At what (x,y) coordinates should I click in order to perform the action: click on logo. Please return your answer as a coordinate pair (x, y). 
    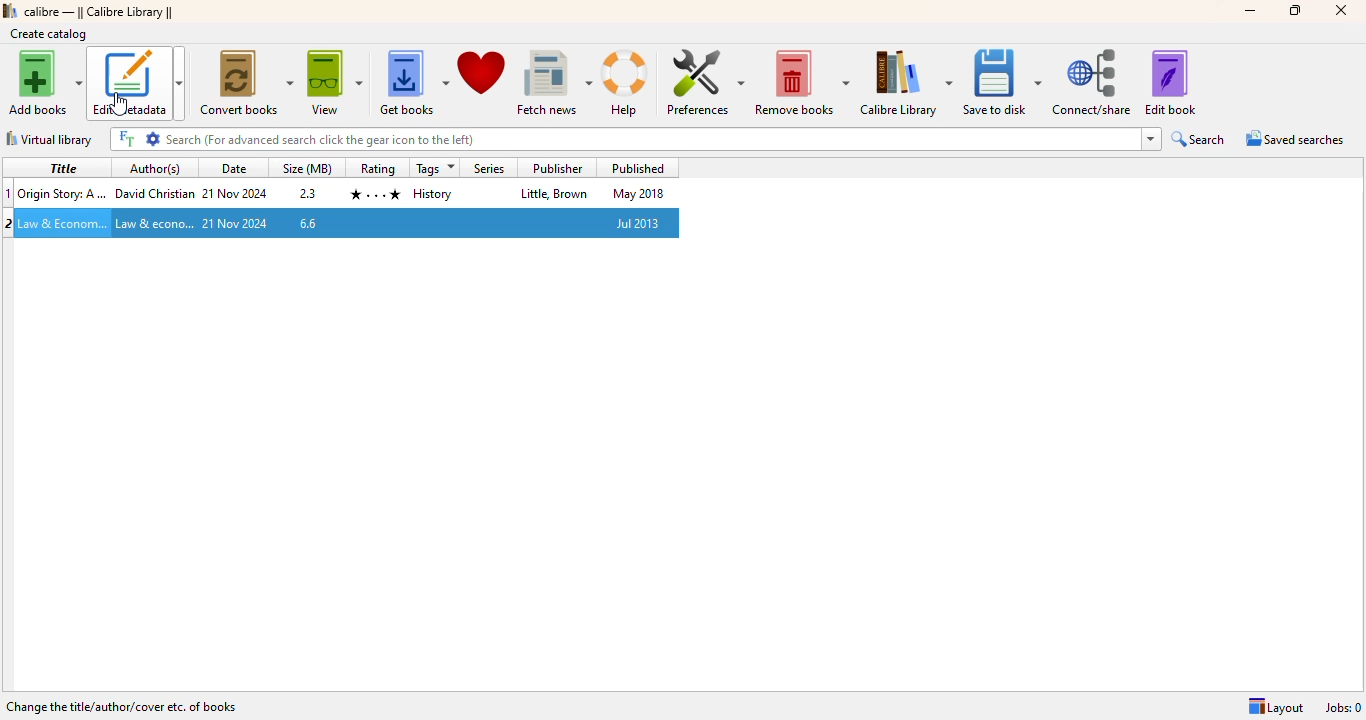
    Looking at the image, I should click on (9, 10).